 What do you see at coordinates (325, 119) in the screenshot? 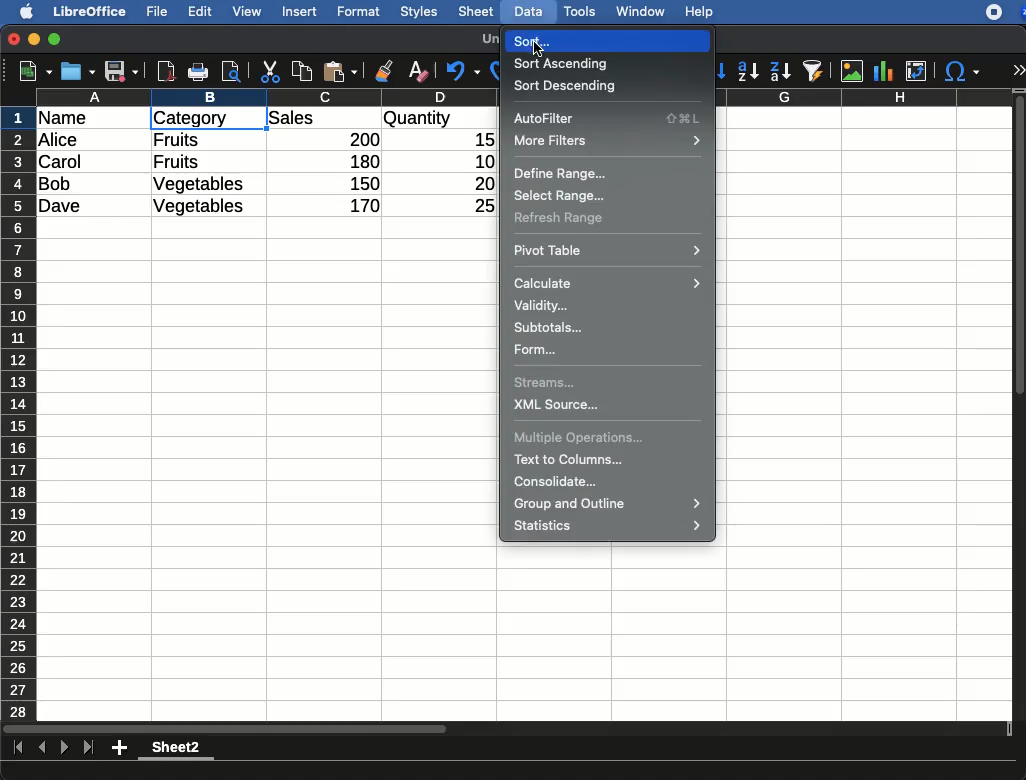
I see `sales` at bounding box center [325, 119].